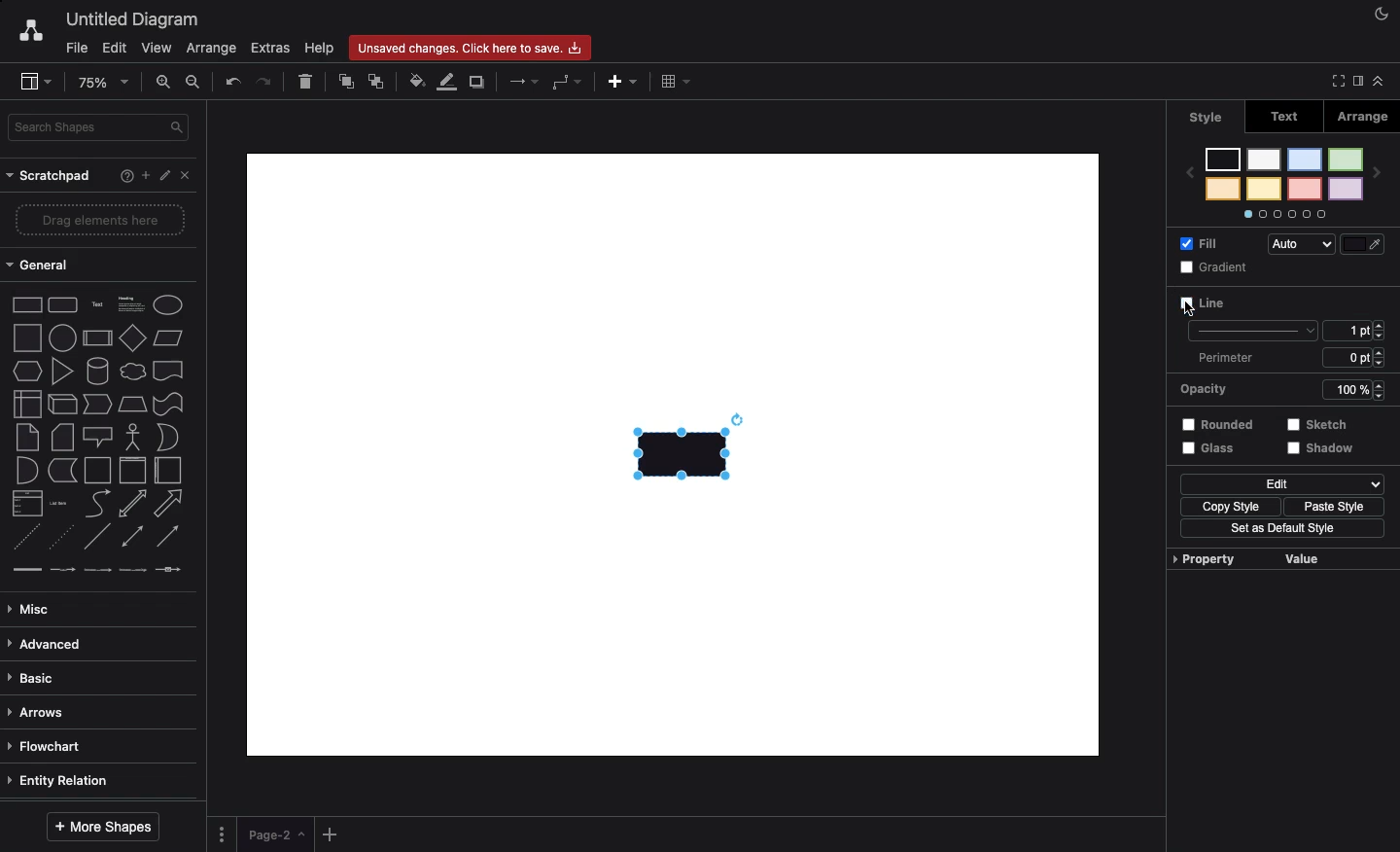 The width and height of the screenshot is (1400, 852). Describe the element at coordinates (97, 571) in the screenshot. I see `connector with 2 labels` at that location.